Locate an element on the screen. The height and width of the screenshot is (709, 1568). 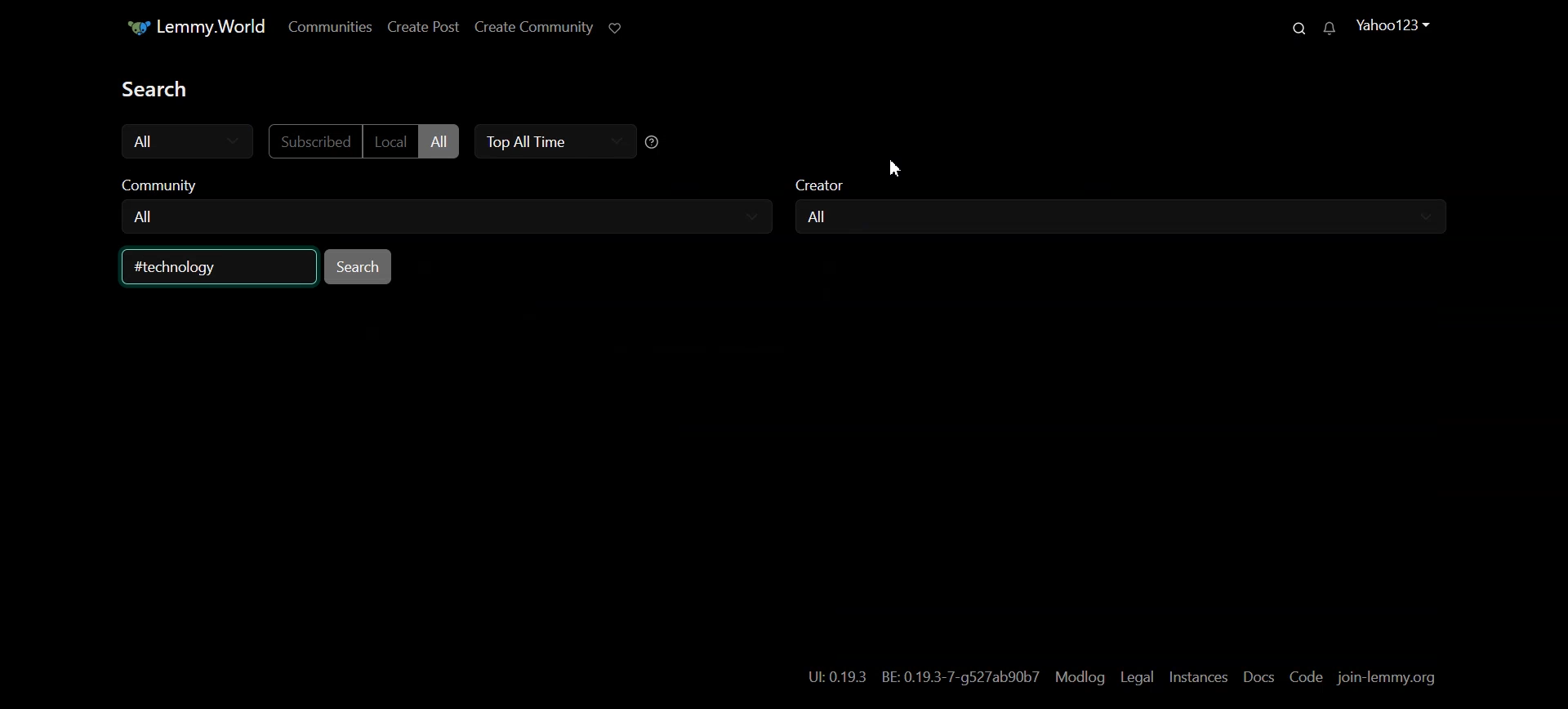
All is located at coordinates (188, 141).